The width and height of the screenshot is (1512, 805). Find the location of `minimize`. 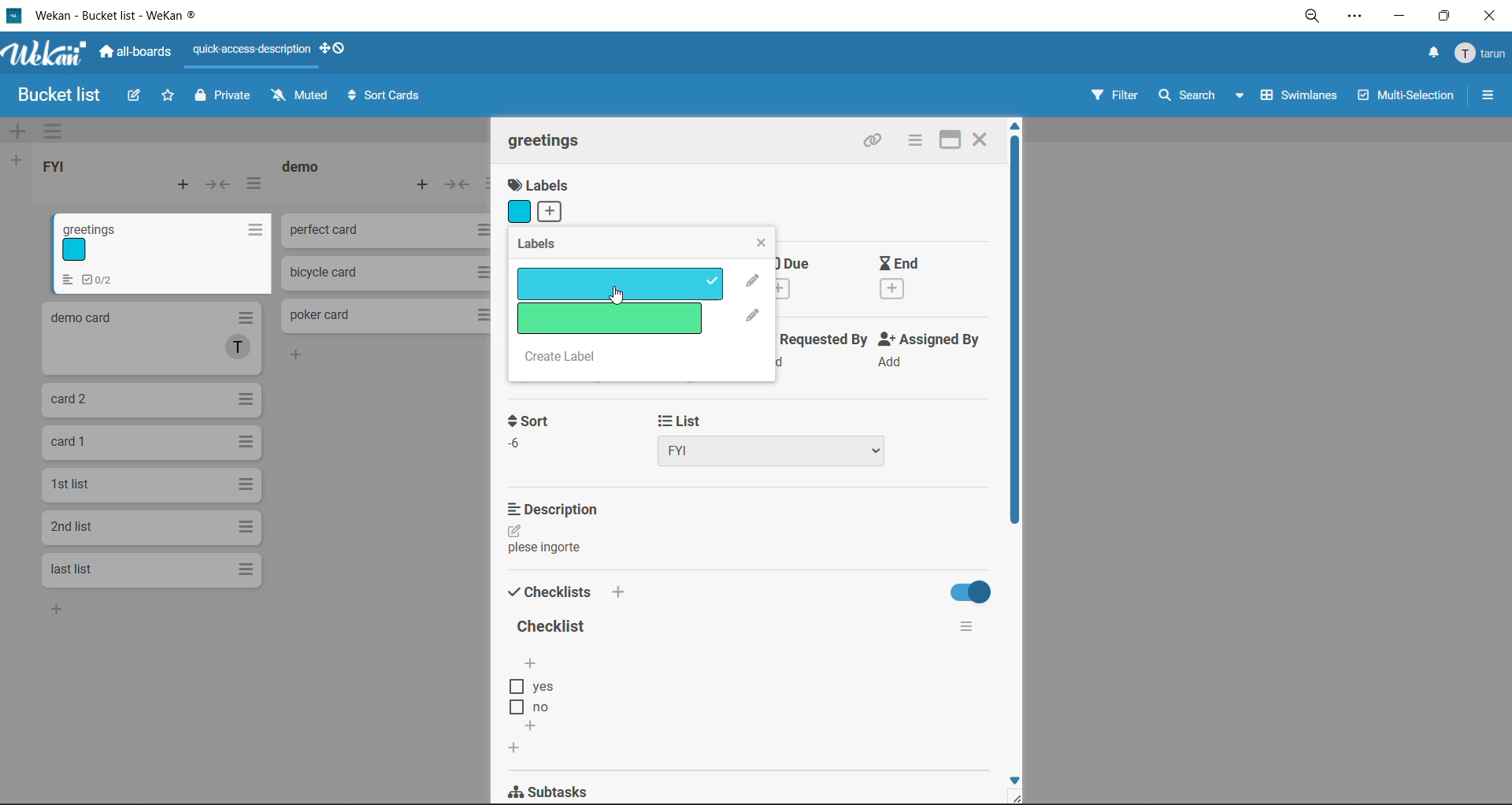

minimize is located at coordinates (1402, 18).